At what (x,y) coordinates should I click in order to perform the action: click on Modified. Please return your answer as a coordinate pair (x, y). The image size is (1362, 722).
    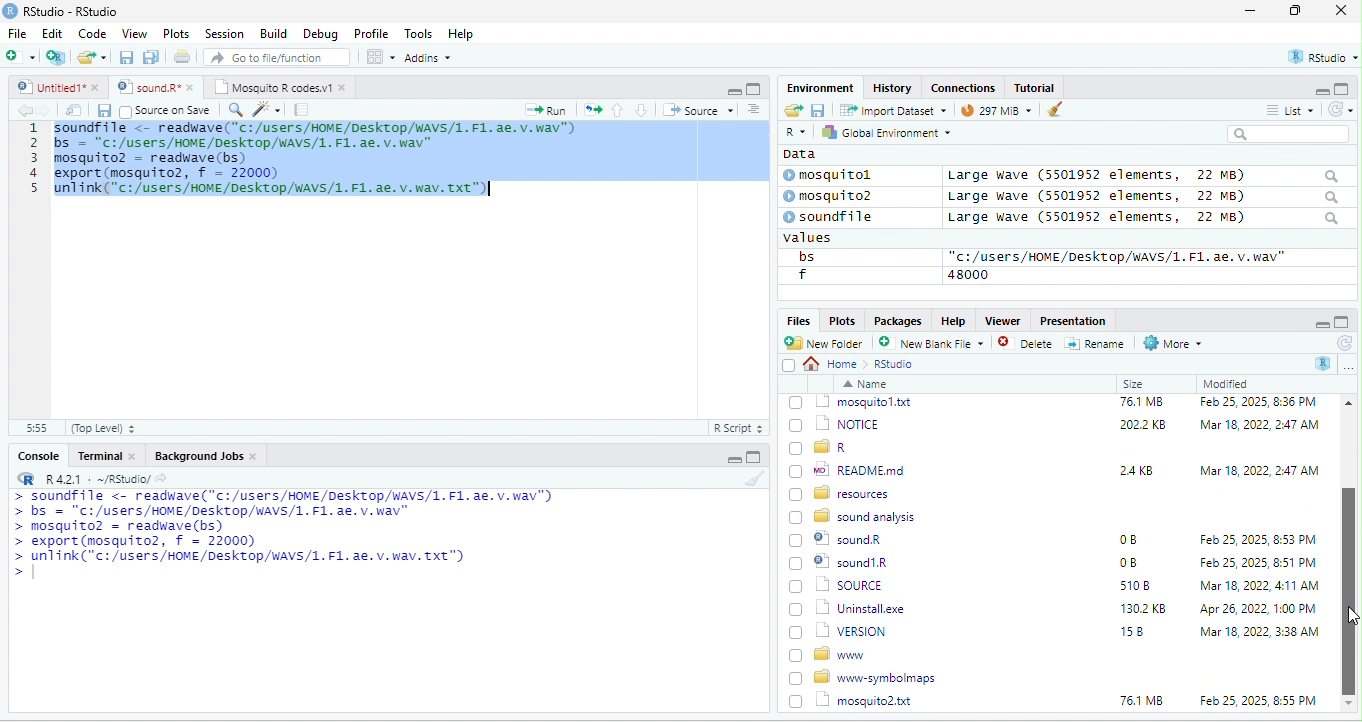
    Looking at the image, I should click on (1227, 384).